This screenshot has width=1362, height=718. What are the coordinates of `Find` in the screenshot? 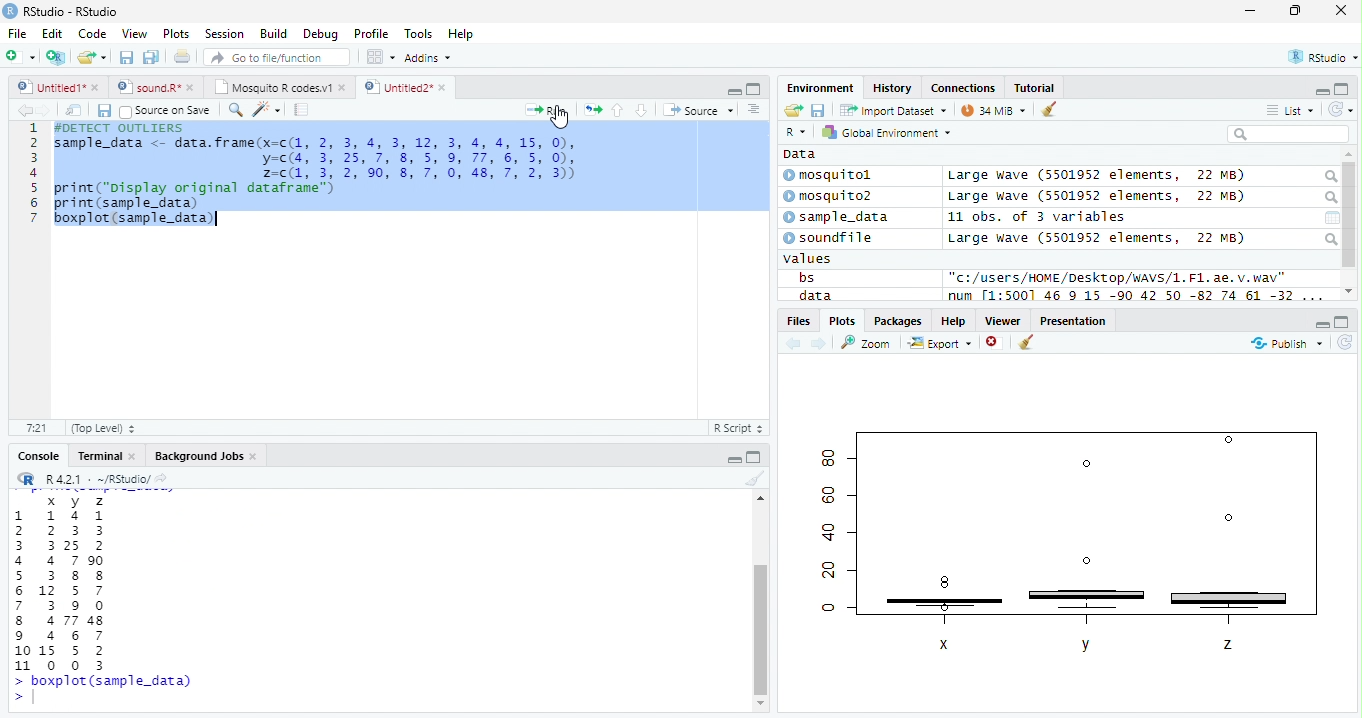 It's located at (235, 110).